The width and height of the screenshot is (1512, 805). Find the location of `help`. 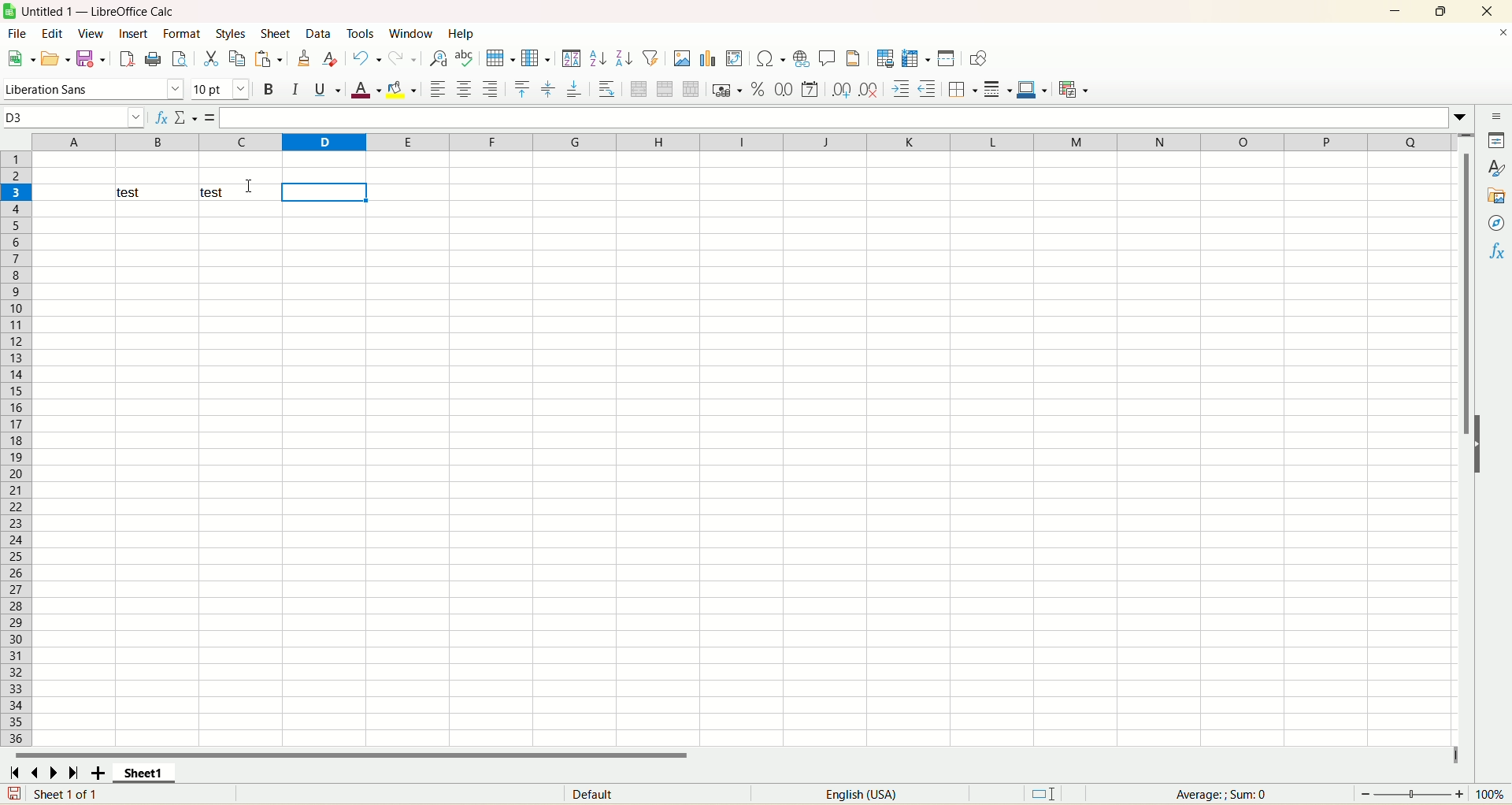

help is located at coordinates (461, 33).